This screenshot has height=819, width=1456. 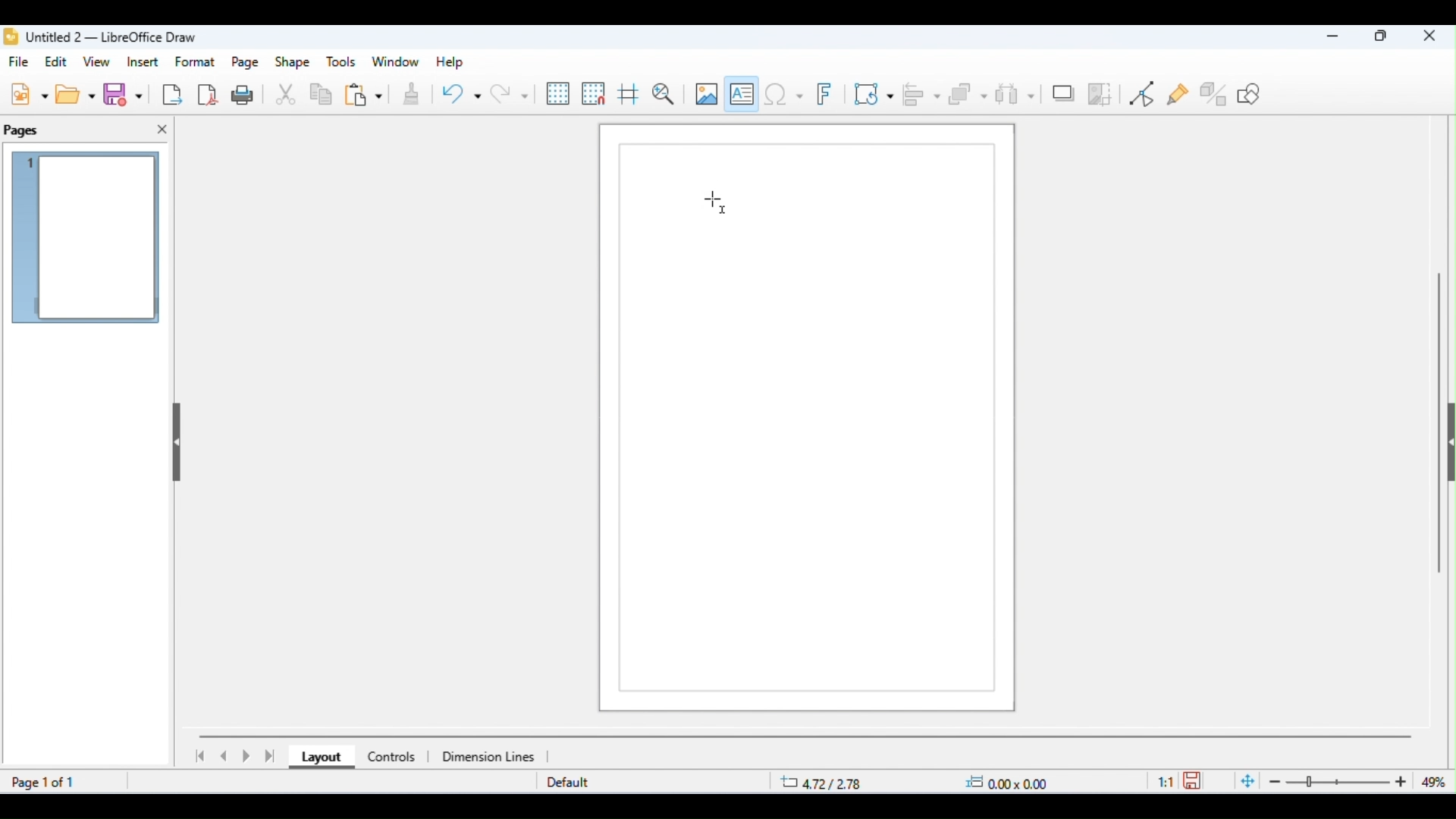 What do you see at coordinates (87, 240) in the screenshot?
I see `current page ` at bounding box center [87, 240].